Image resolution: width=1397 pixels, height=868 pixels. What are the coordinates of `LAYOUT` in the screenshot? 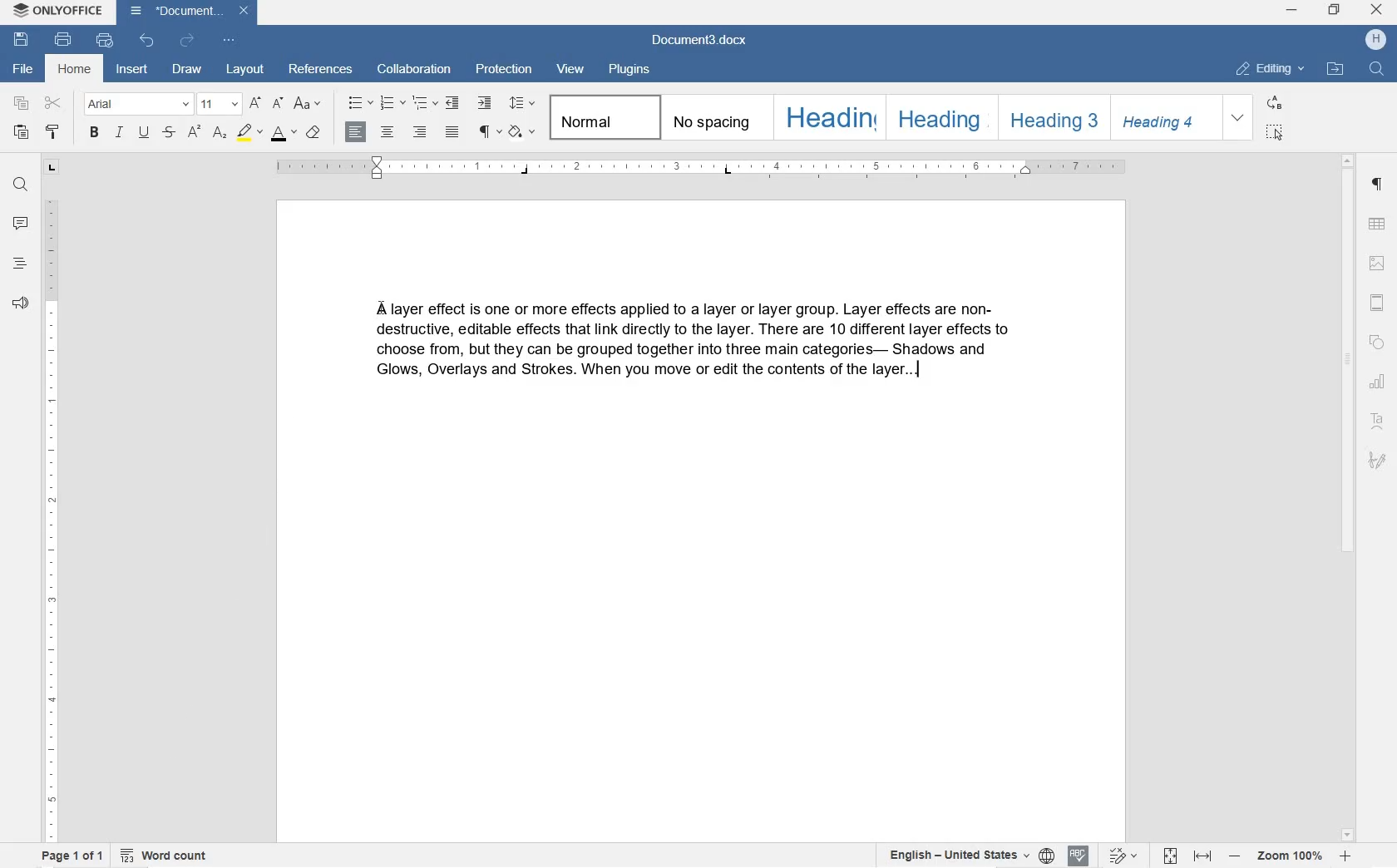 It's located at (245, 70).